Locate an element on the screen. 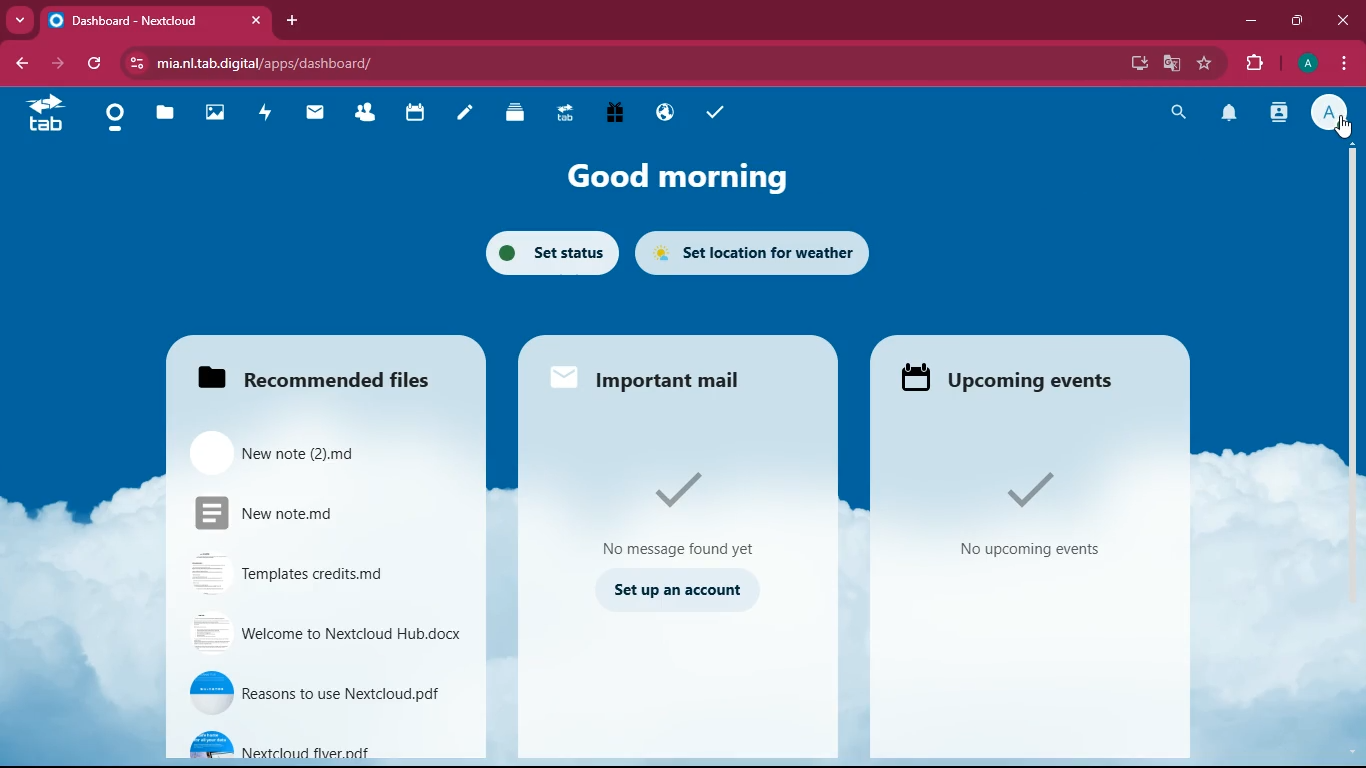  desktop is located at coordinates (1135, 65).